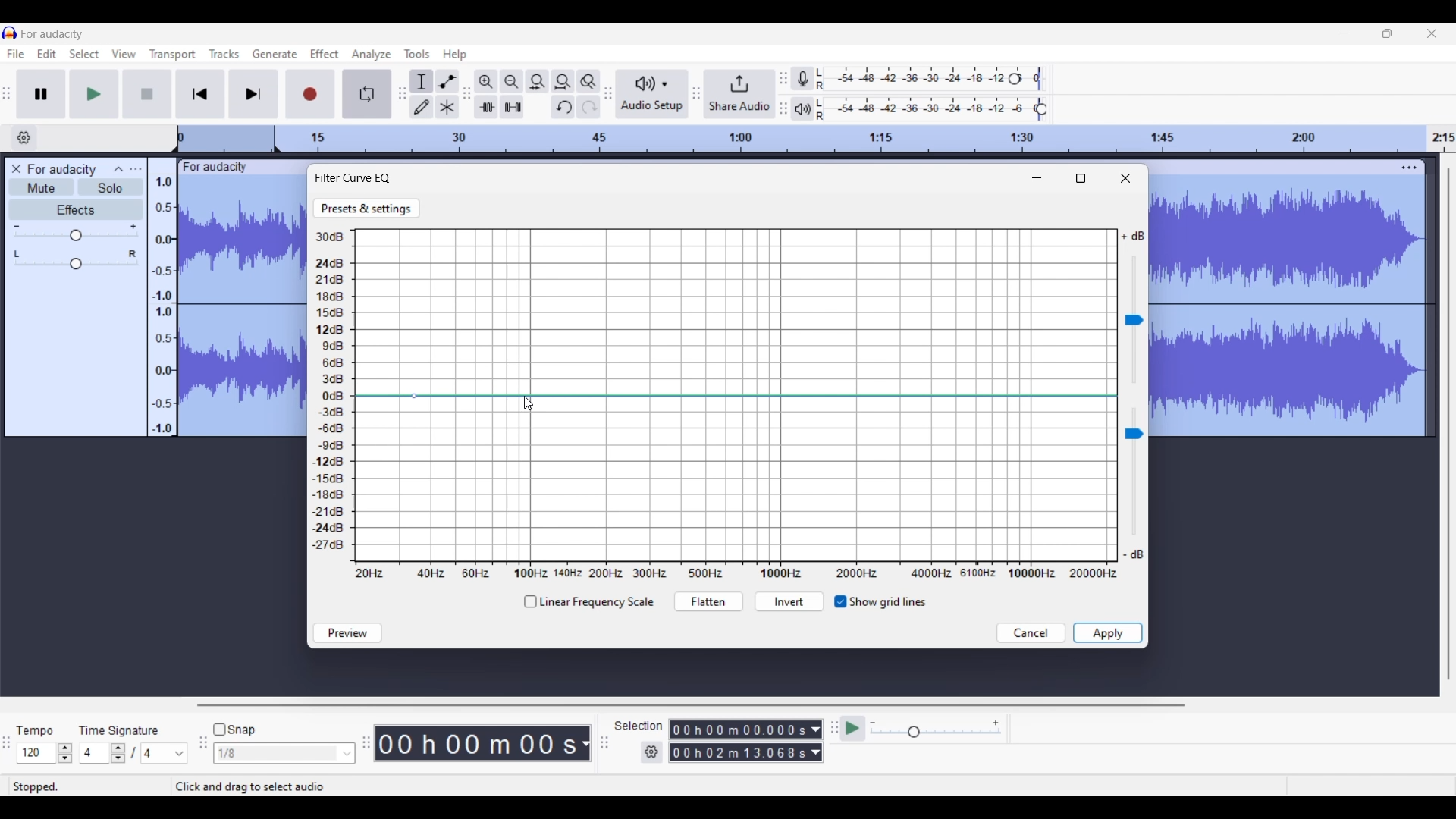 This screenshot has height=819, width=1456. Describe the element at coordinates (563, 82) in the screenshot. I see `Fit project to width` at that location.